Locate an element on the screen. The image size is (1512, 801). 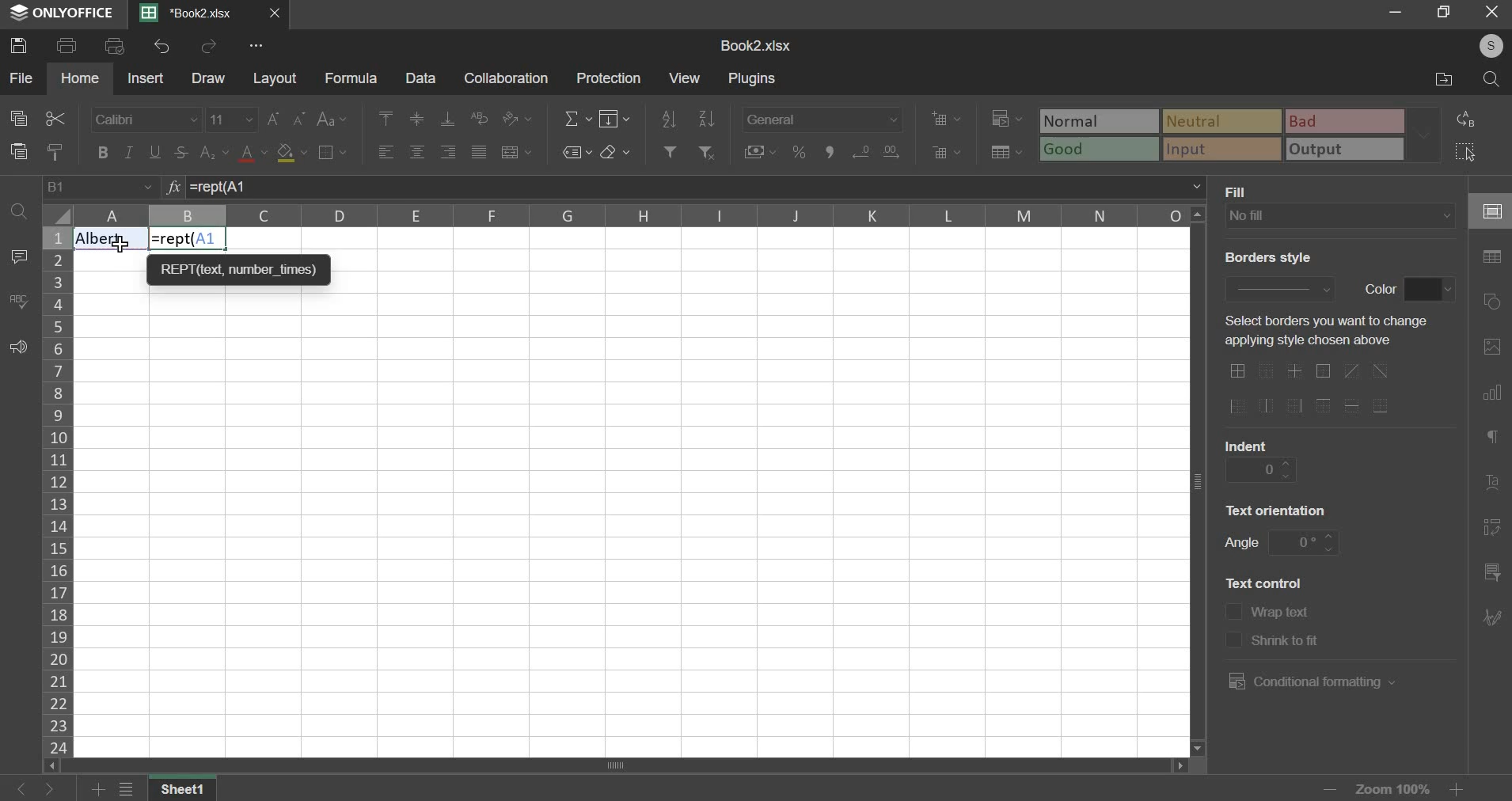
subscript & superscript is located at coordinates (215, 152).